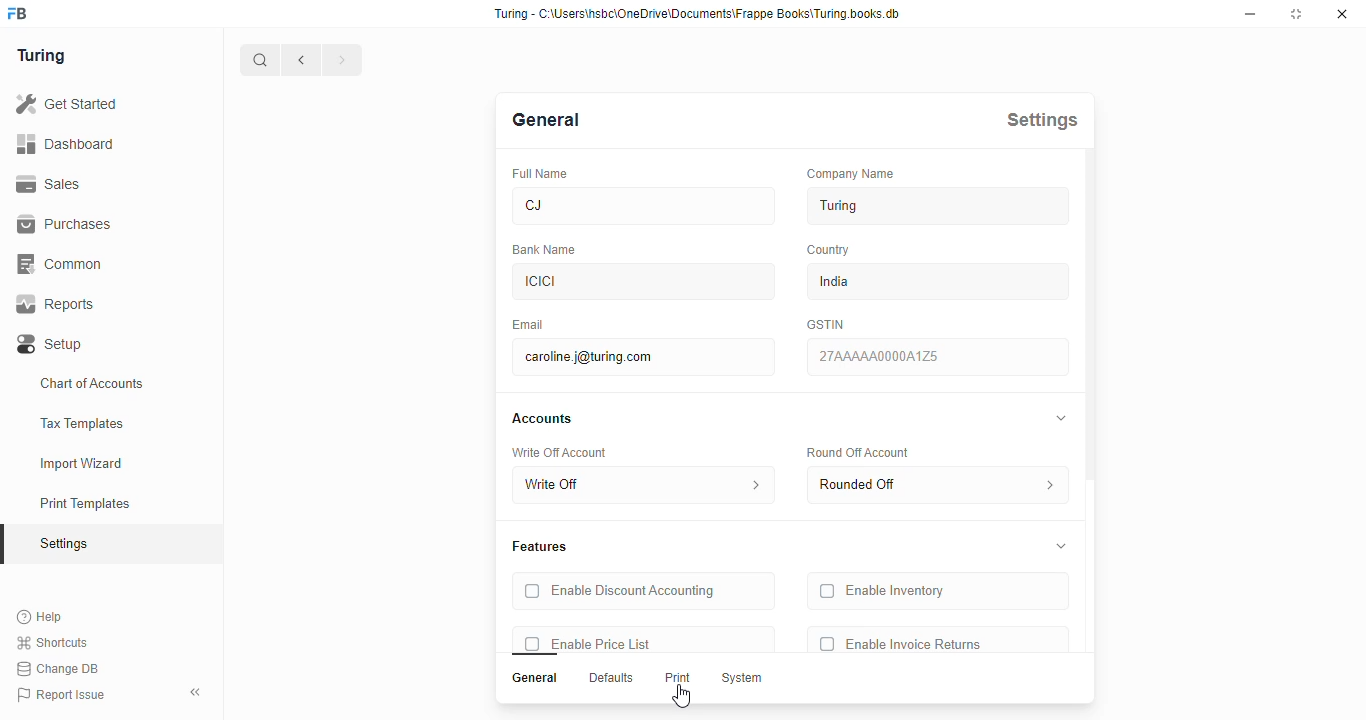  What do you see at coordinates (1043, 120) in the screenshot?
I see `settings` at bounding box center [1043, 120].